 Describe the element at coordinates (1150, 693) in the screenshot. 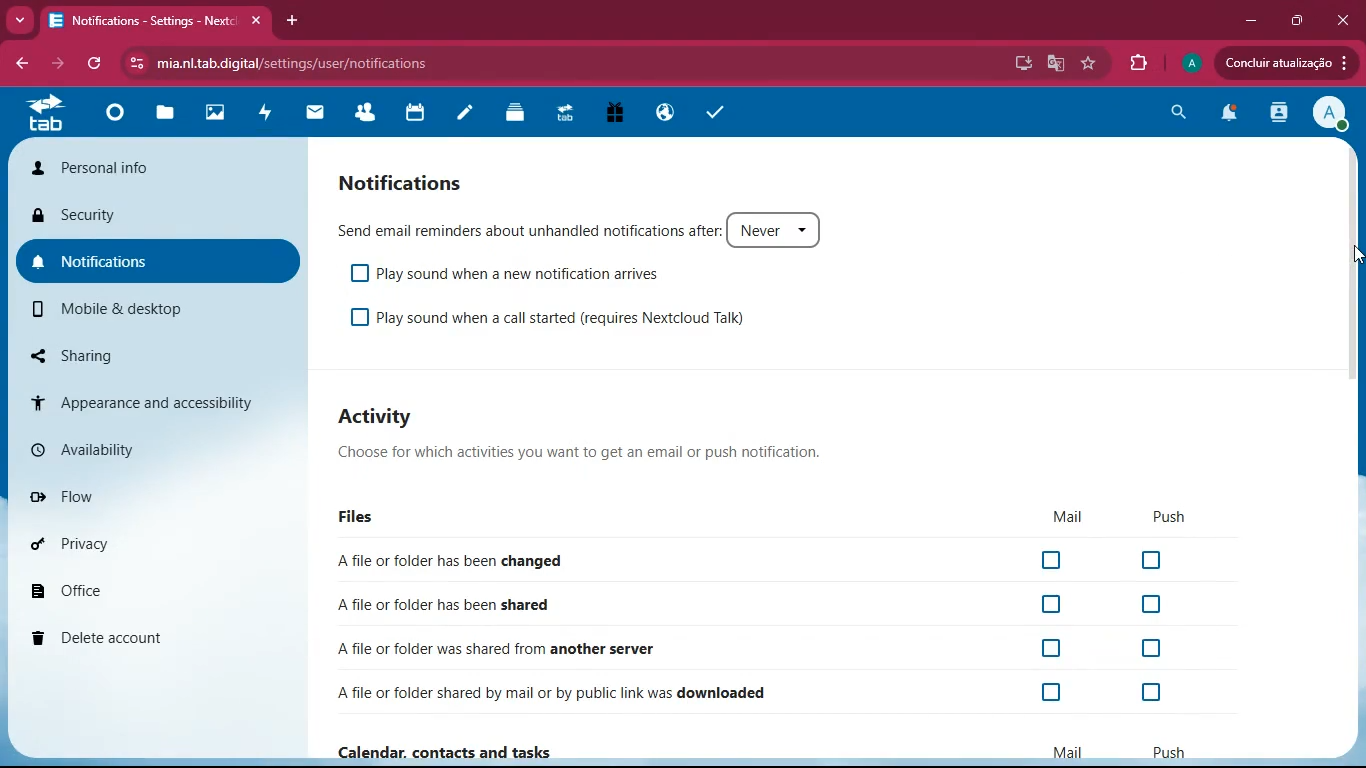

I see `Checkbox` at that location.